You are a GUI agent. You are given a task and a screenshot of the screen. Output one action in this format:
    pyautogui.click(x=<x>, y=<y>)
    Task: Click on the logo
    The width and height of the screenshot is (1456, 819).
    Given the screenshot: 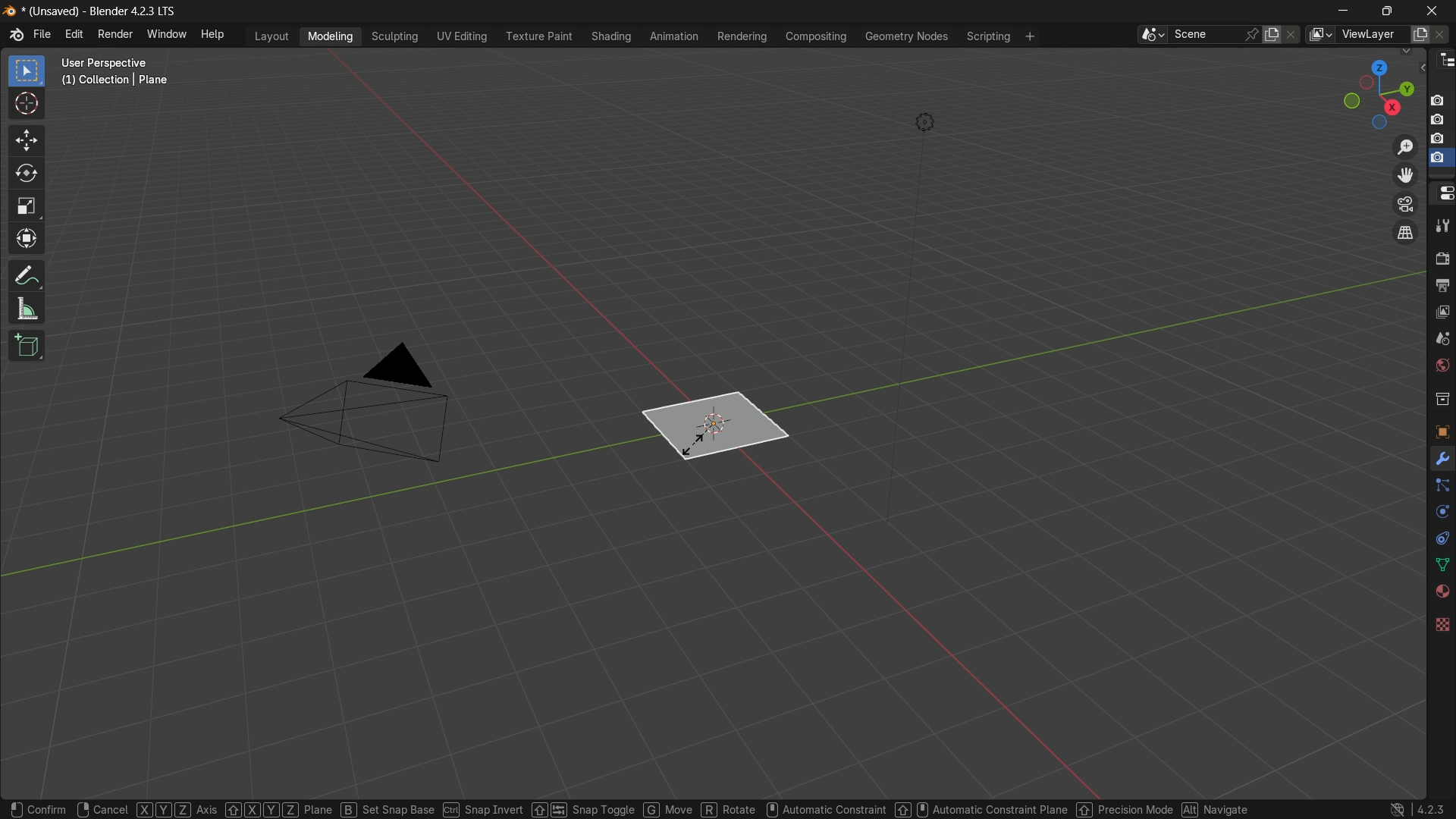 What is the action you would take?
    pyautogui.click(x=14, y=37)
    